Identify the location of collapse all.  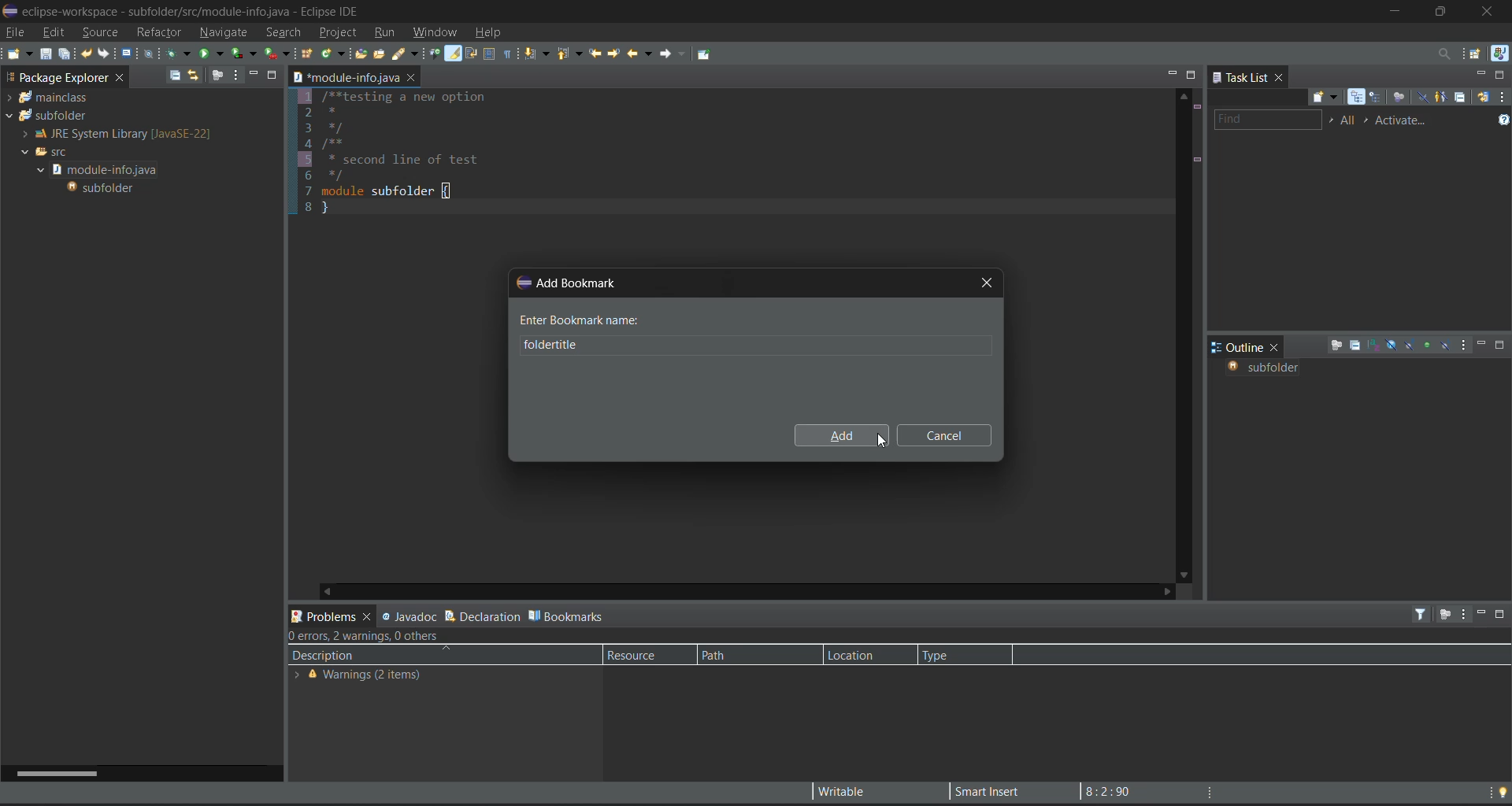
(175, 75).